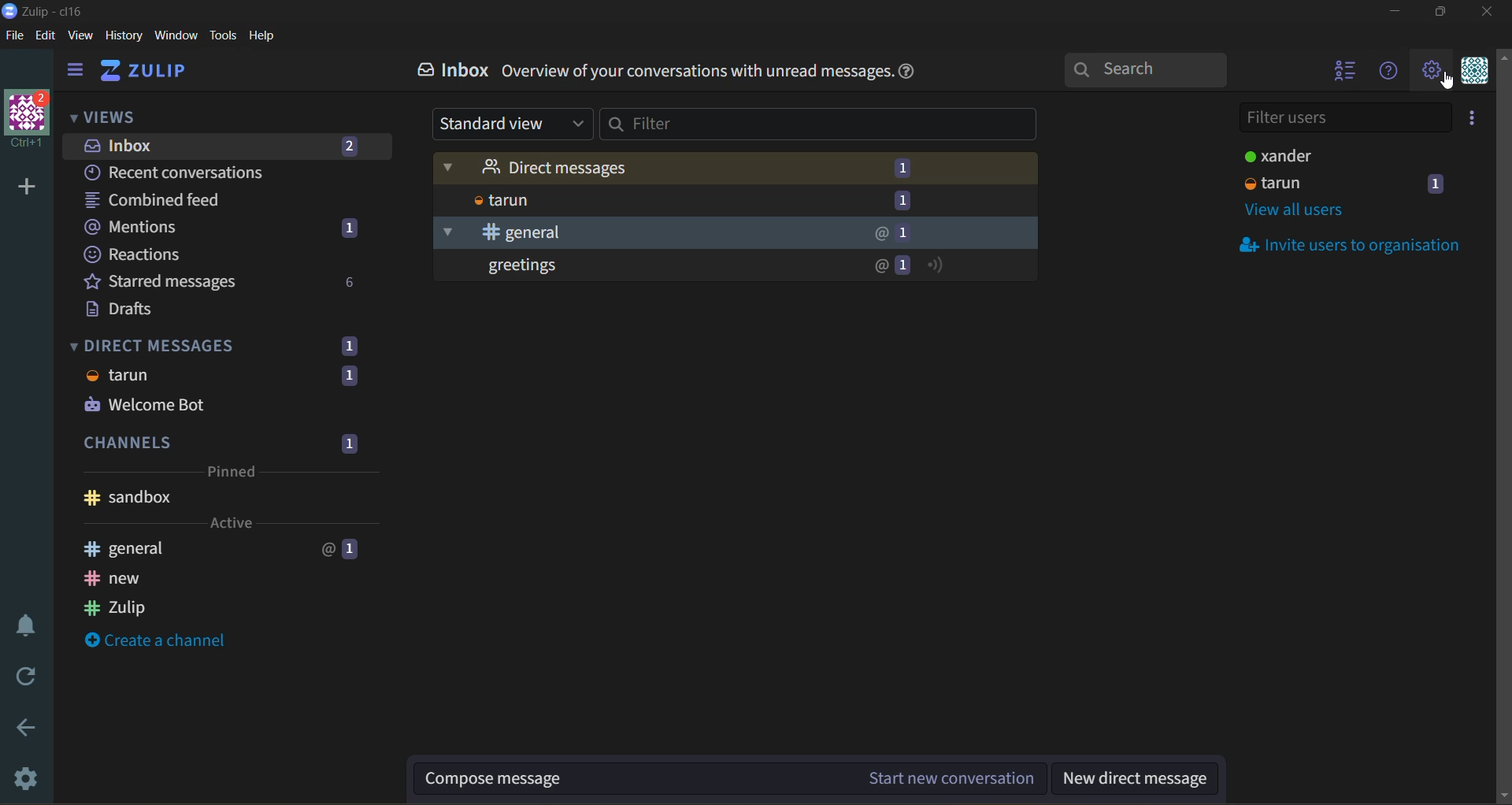 The width and height of the screenshot is (1512, 805). I want to click on channels, so click(218, 442).